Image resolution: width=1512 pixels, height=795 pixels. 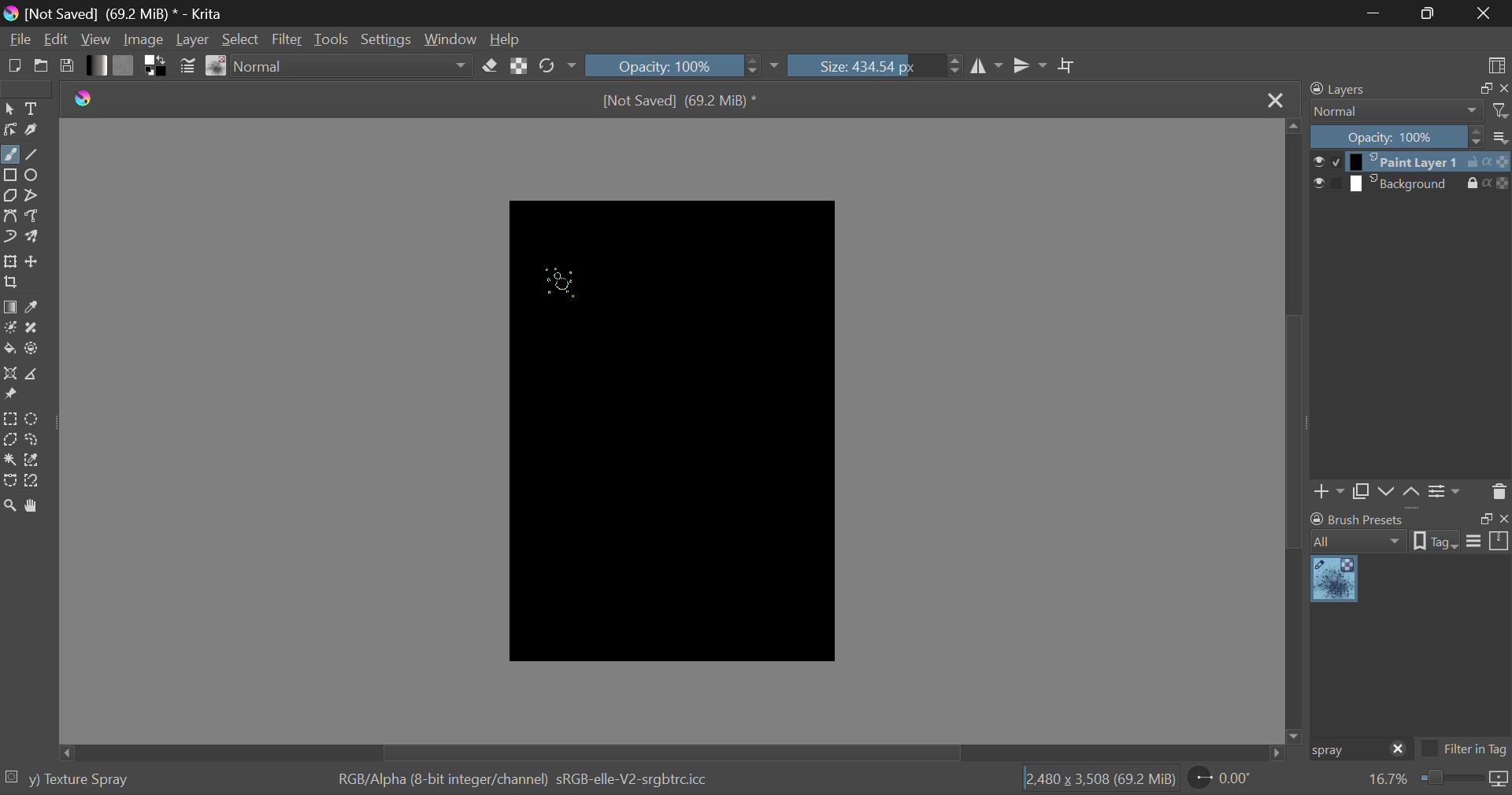 What do you see at coordinates (19, 38) in the screenshot?
I see `File` at bounding box center [19, 38].